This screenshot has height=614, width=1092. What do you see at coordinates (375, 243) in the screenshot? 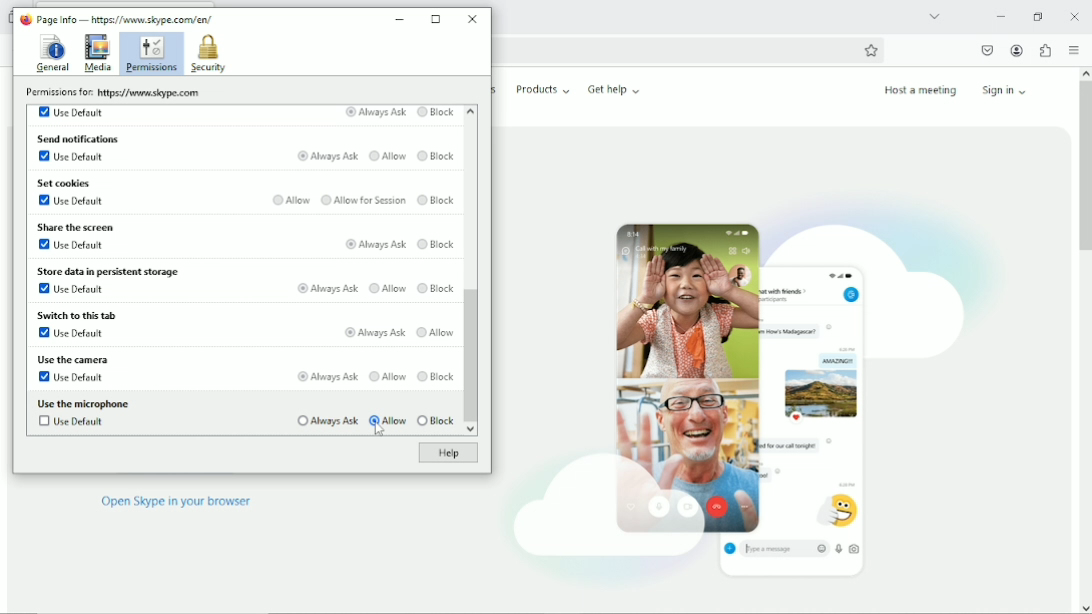
I see `Always ask` at bounding box center [375, 243].